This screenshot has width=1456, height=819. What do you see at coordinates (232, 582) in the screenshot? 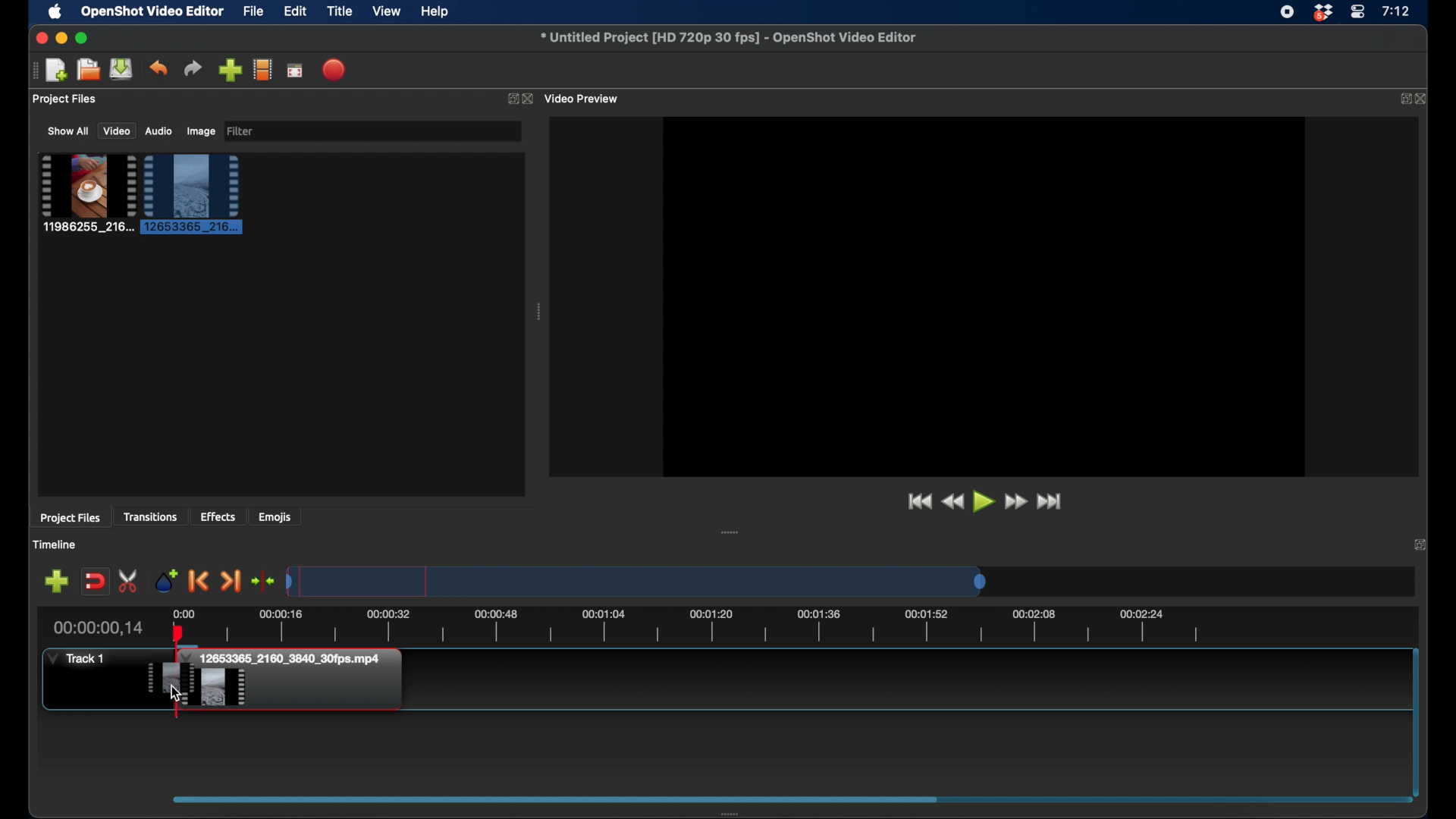
I see `next marker` at bounding box center [232, 582].